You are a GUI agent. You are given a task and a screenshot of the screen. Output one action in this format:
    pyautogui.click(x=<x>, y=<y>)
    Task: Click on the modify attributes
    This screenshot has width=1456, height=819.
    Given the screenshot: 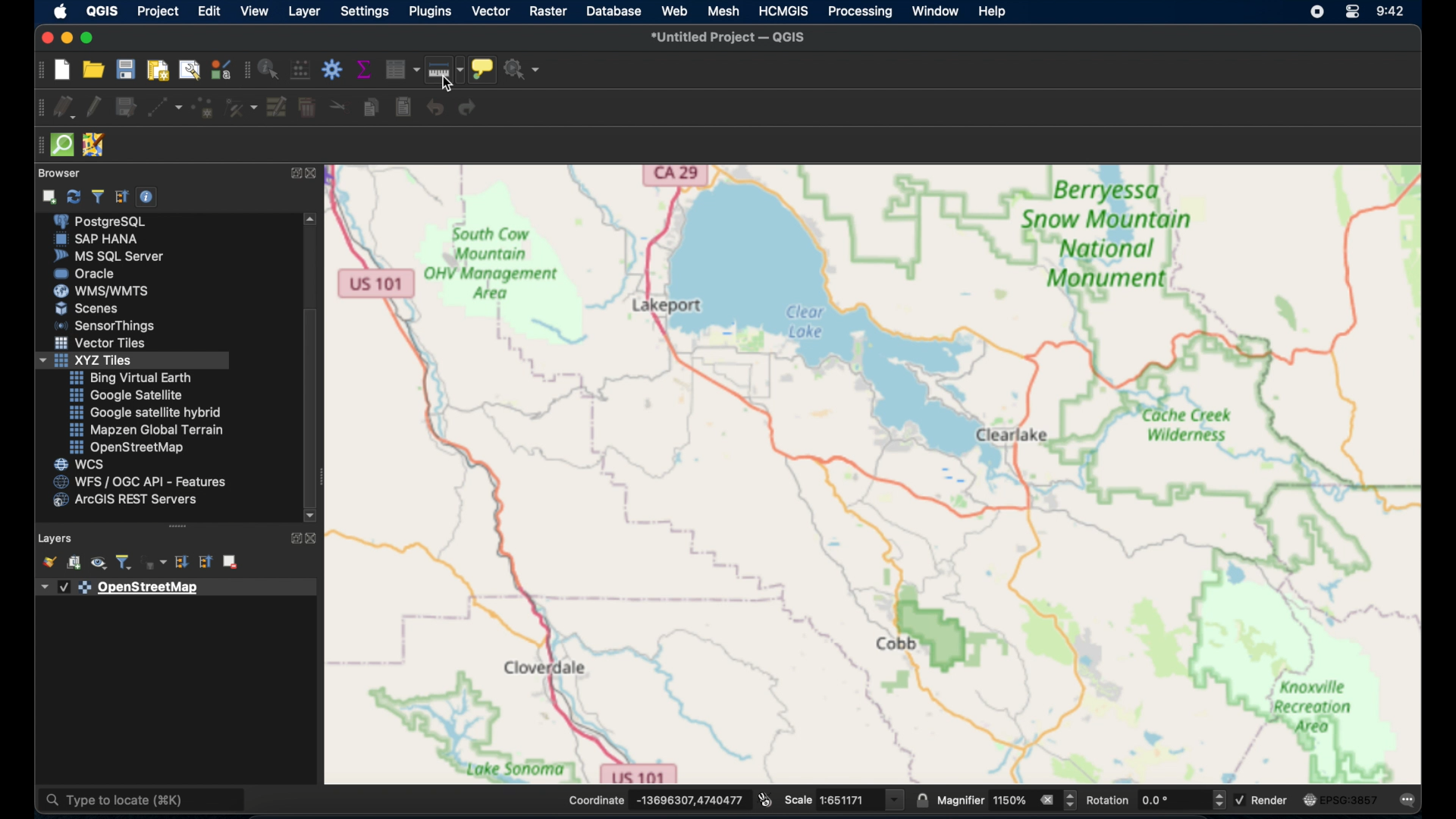 What is the action you would take?
    pyautogui.click(x=277, y=108)
    